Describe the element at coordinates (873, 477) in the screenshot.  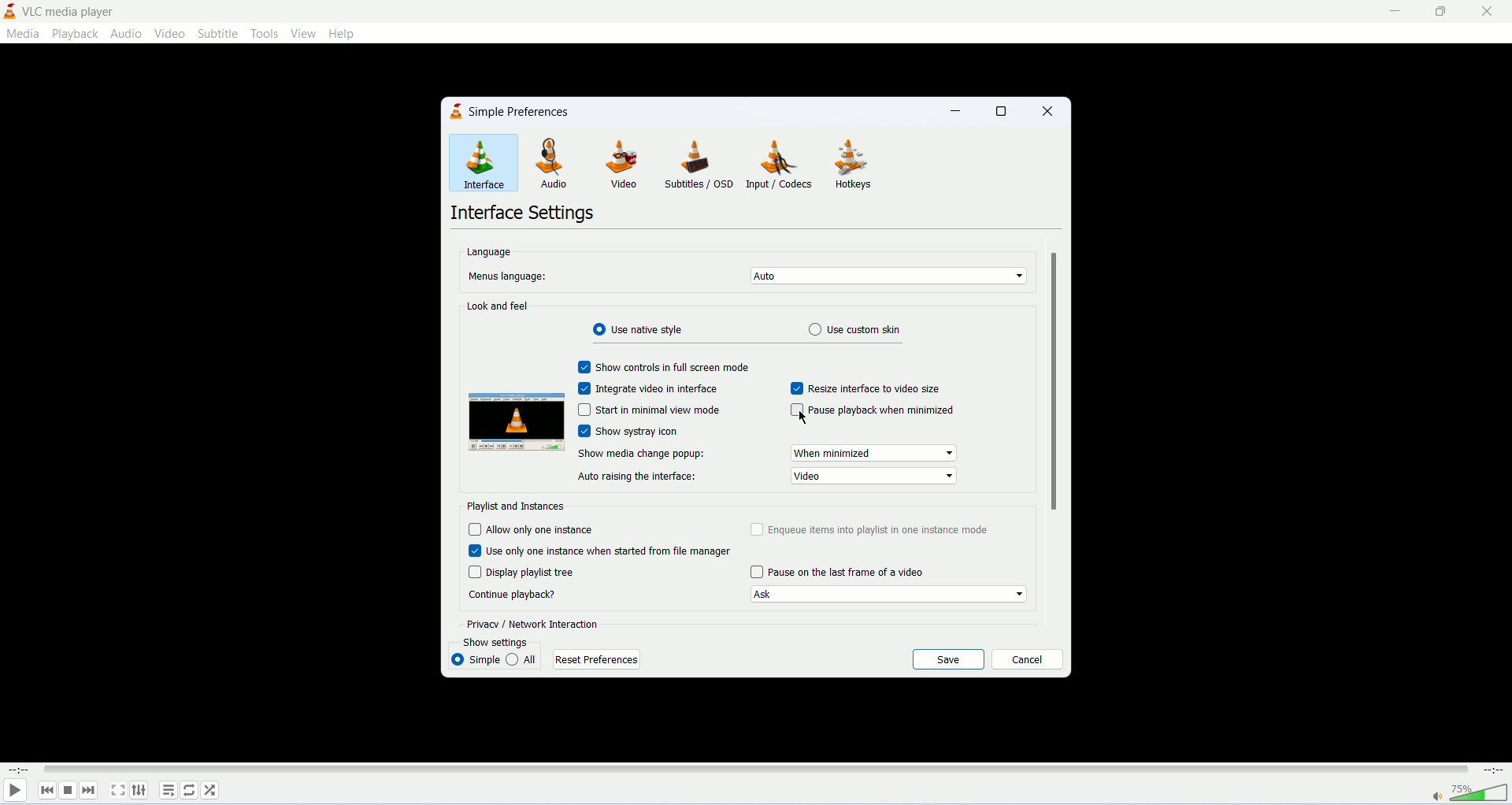
I see `Auto raising interface dropdown` at that location.